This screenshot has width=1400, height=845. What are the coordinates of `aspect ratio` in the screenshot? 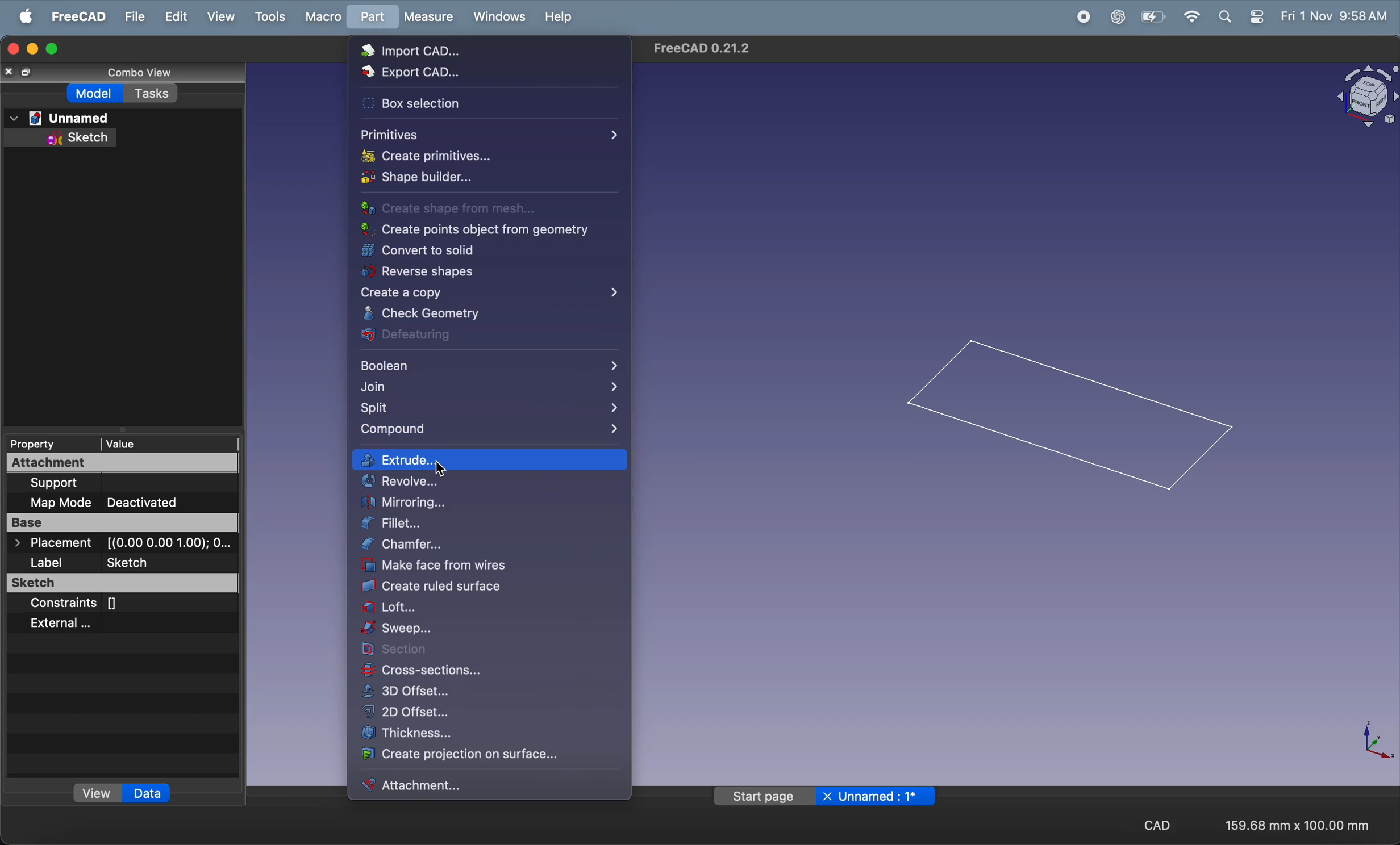 It's located at (1302, 825).